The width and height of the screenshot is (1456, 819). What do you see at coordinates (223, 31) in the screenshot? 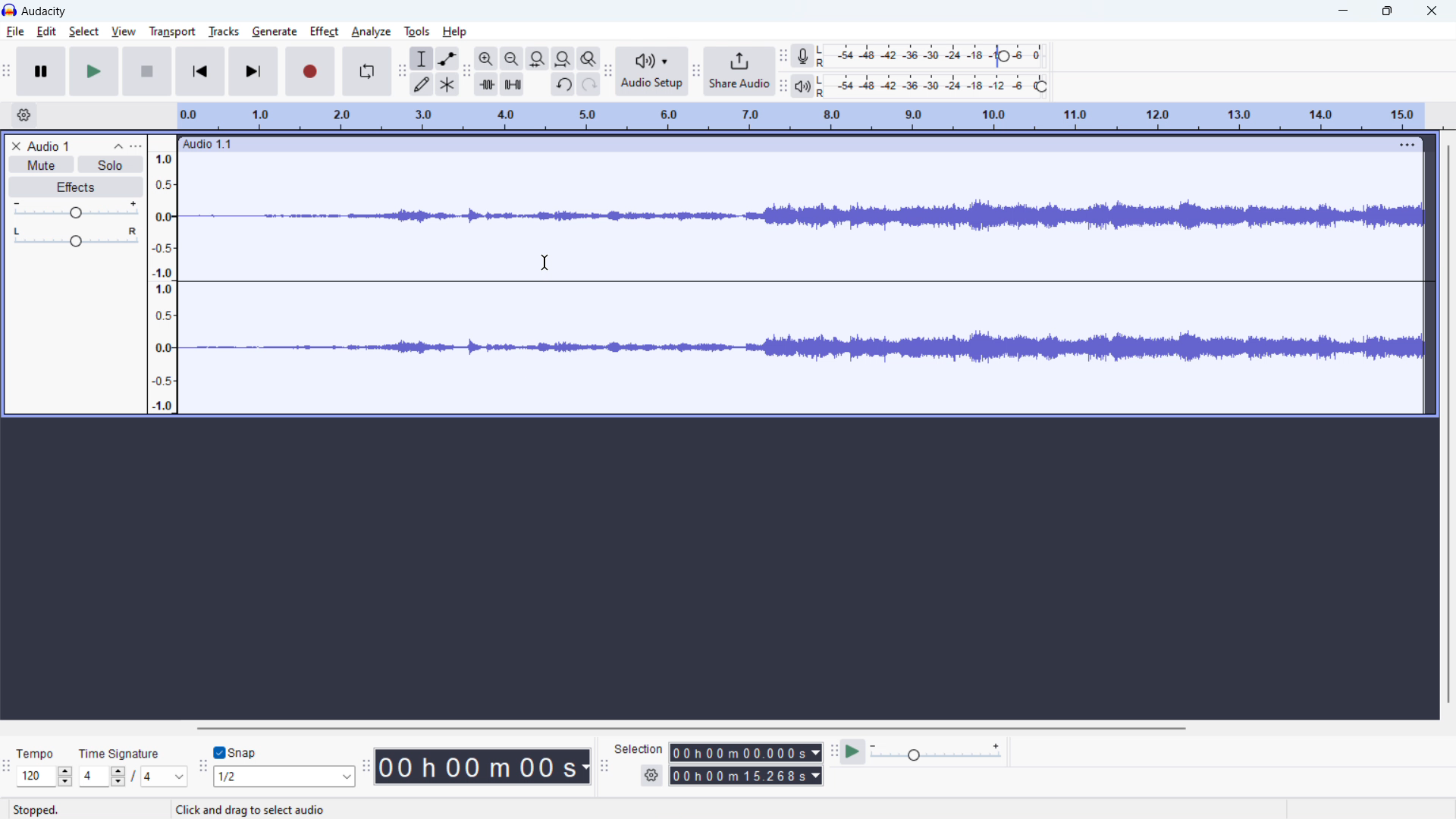
I see `tracks` at bounding box center [223, 31].